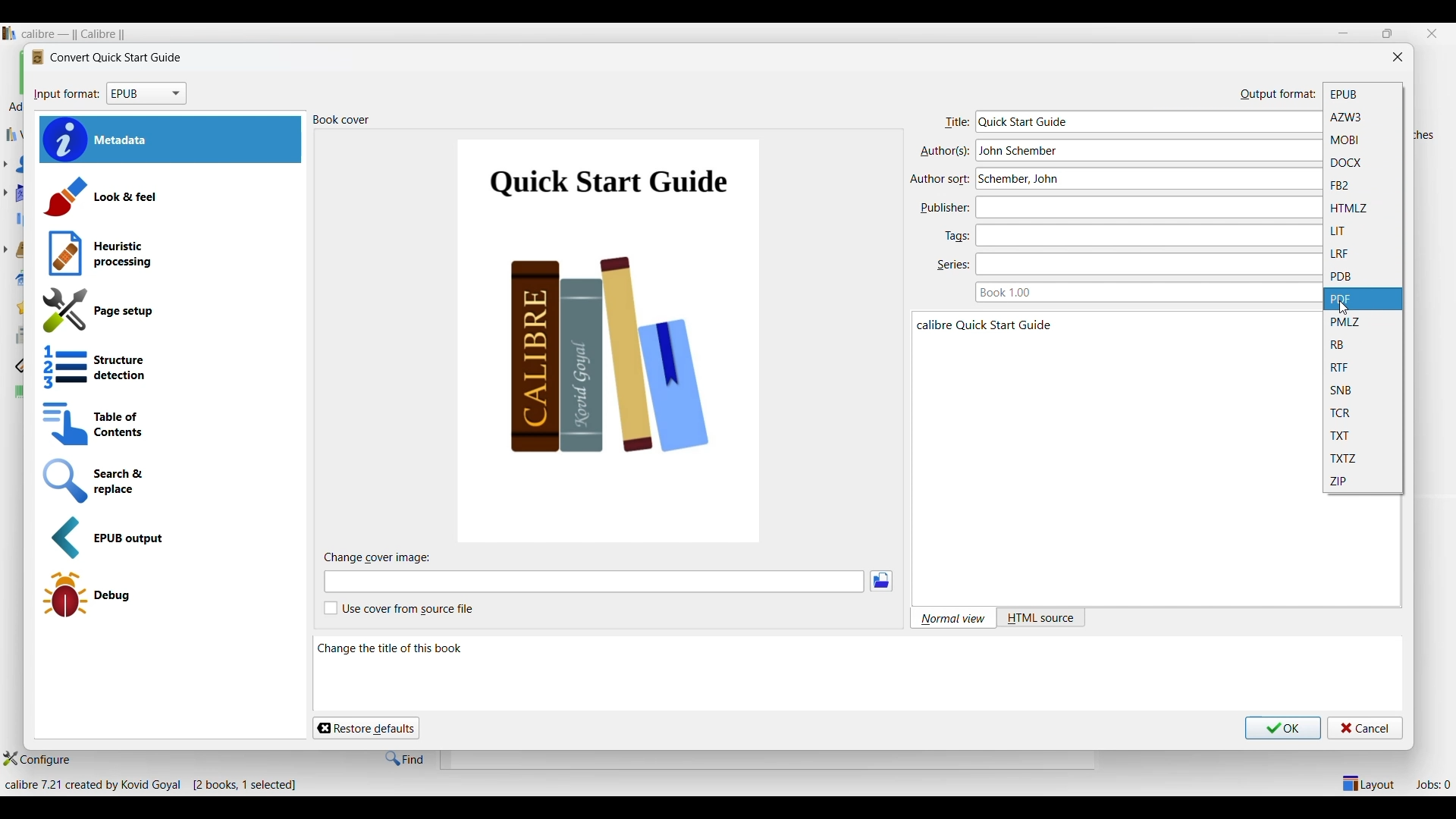 The height and width of the screenshot is (819, 1456). I want to click on Type in tags, so click(1126, 235).